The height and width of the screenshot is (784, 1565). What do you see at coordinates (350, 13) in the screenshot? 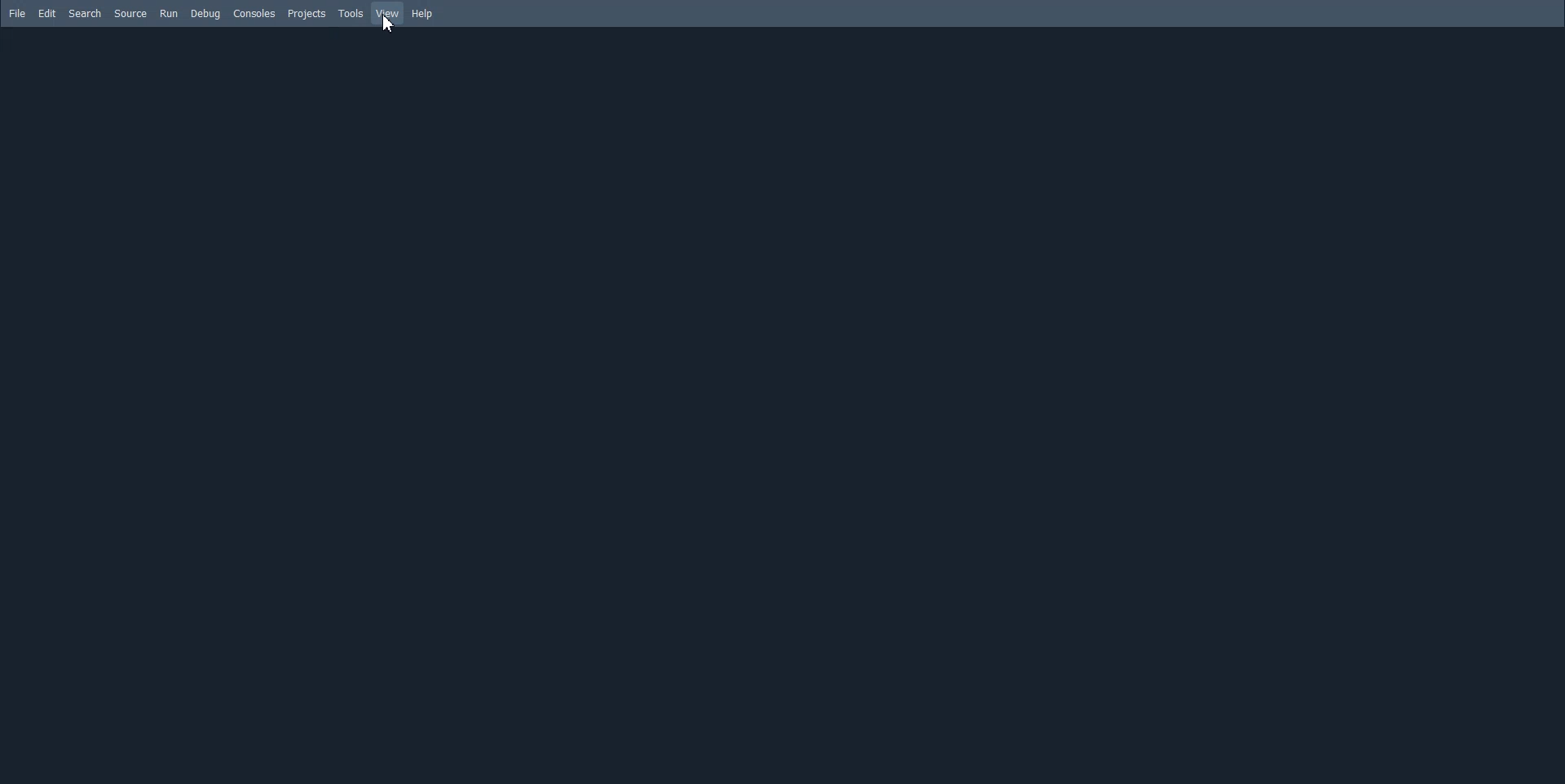
I see `Tools` at bounding box center [350, 13].